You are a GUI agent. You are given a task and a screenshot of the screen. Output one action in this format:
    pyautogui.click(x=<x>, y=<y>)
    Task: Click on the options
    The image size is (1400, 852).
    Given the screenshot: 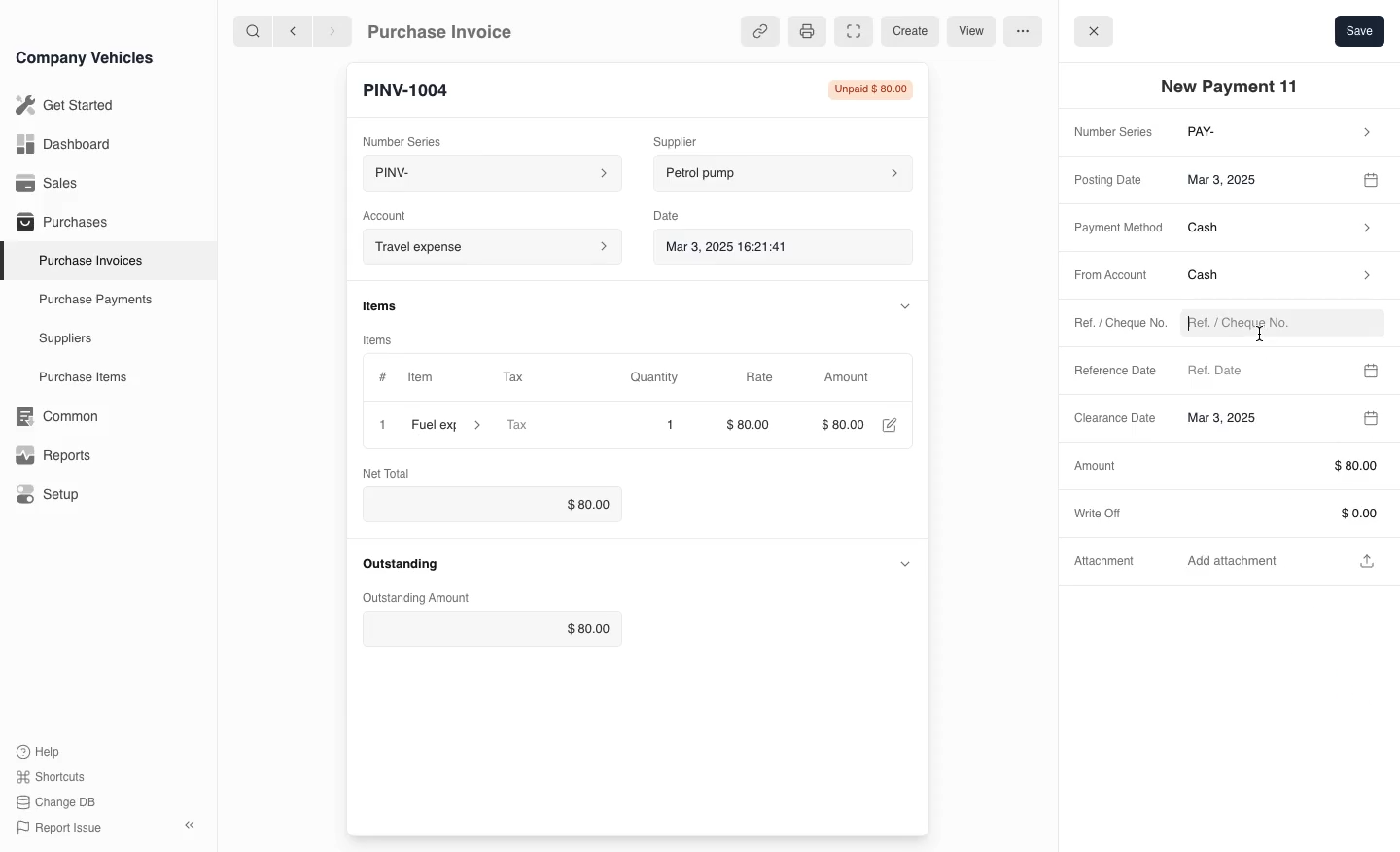 What is the action you would take?
    pyautogui.click(x=1022, y=30)
    